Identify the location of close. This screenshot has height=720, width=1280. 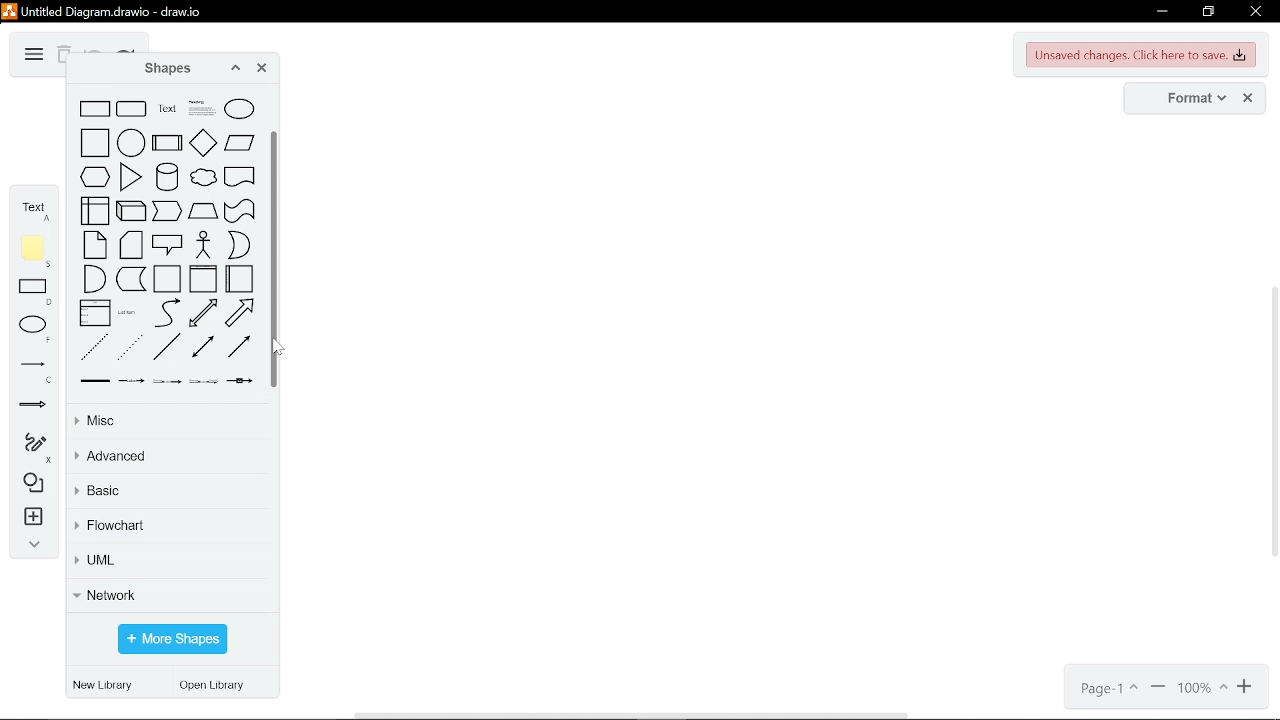
(1254, 13).